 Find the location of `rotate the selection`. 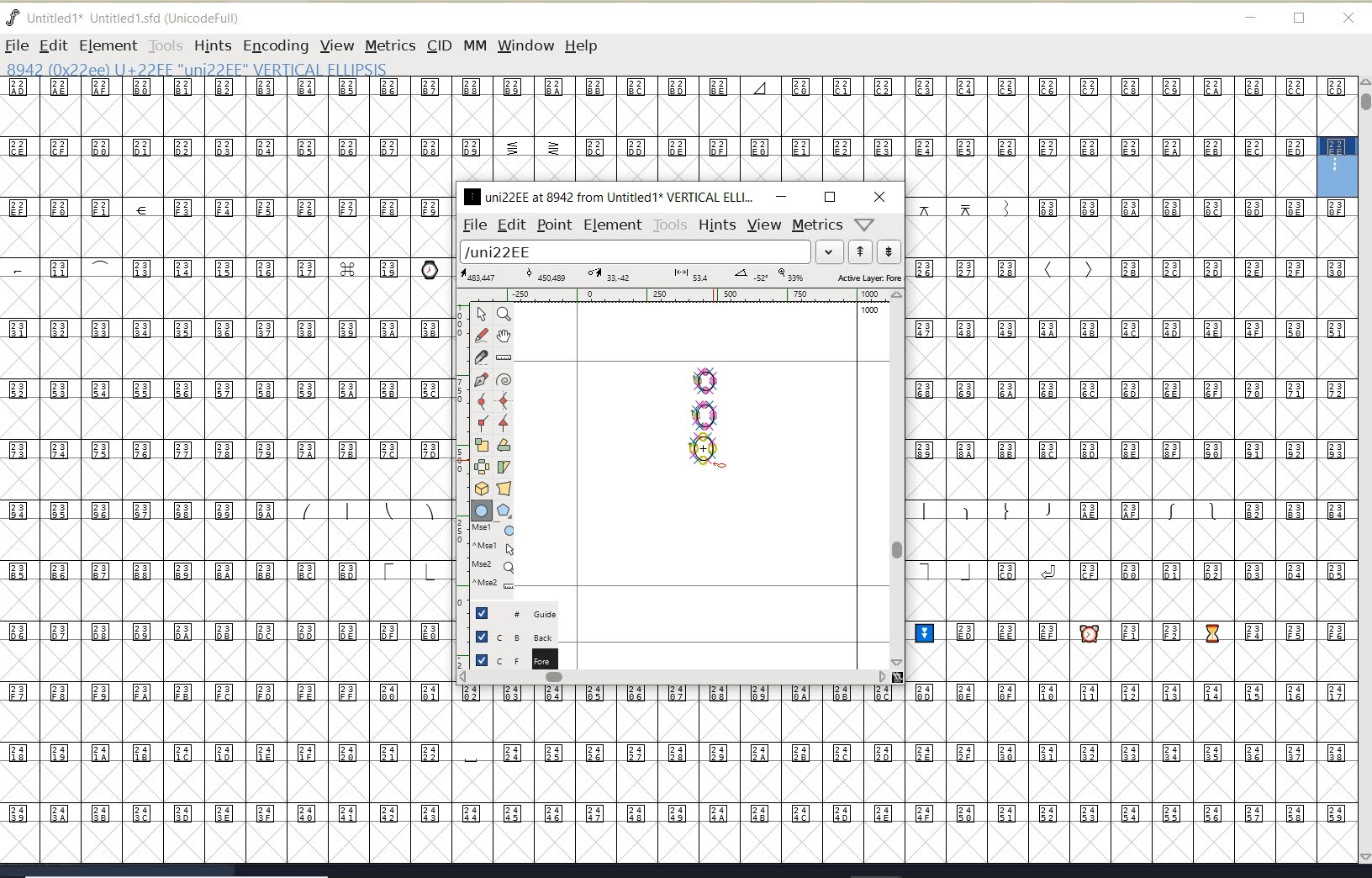

rotate the selection is located at coordinates (504, 445).